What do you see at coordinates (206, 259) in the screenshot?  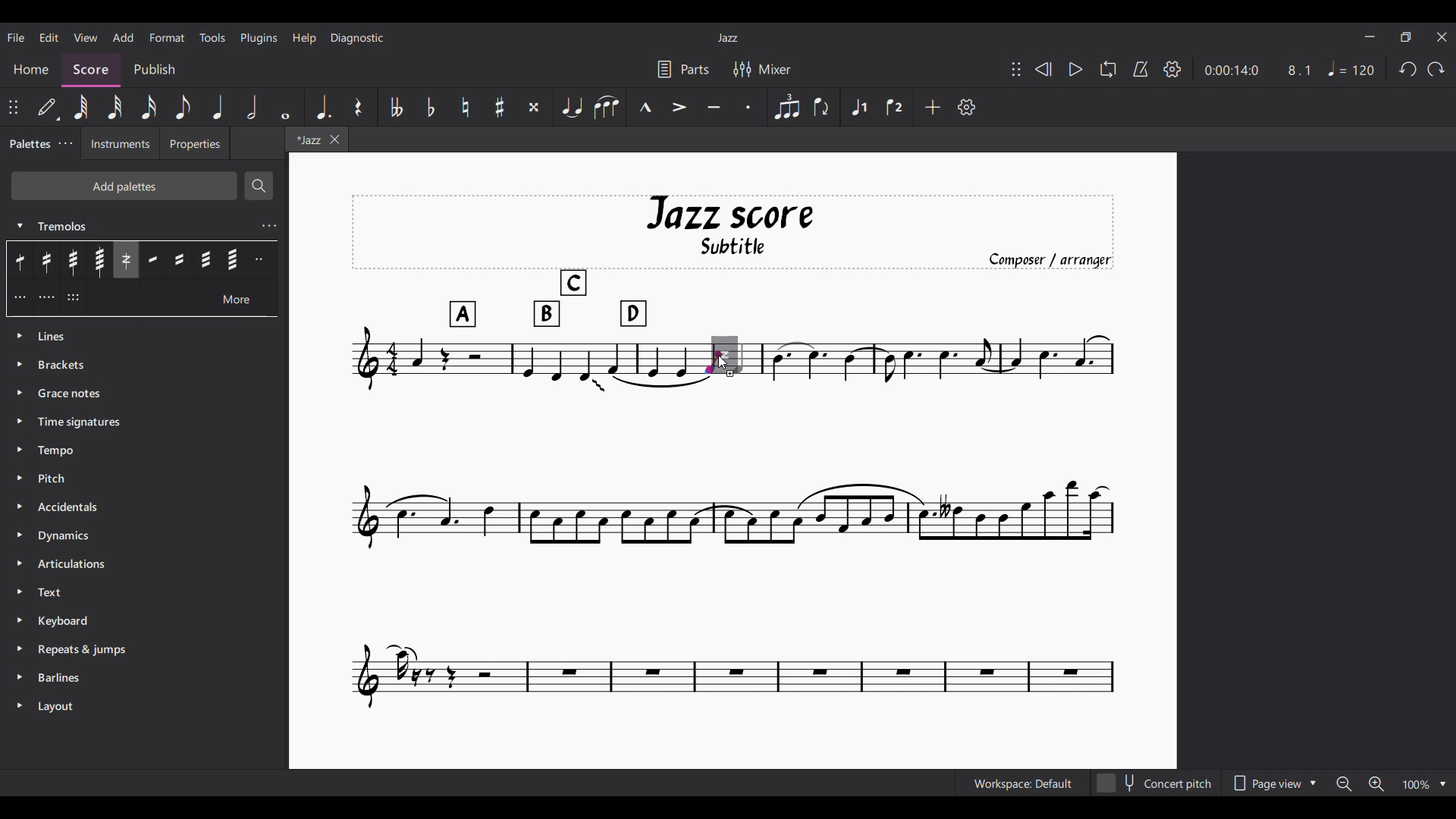 I see `32nd between notes` at bounding box center [206, 259].